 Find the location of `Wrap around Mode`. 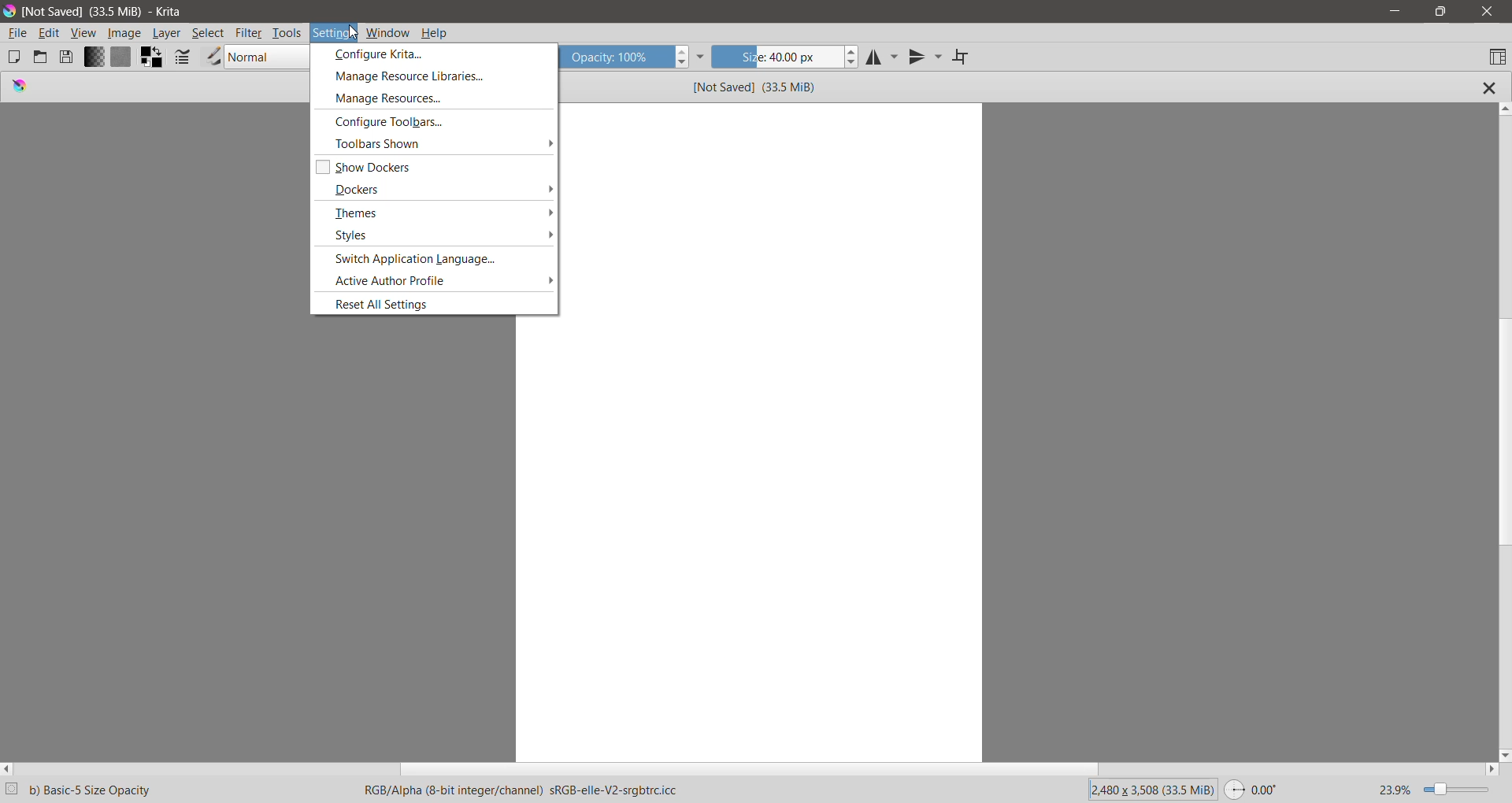

Wrap around Mode is located at coordinates (963, 57).